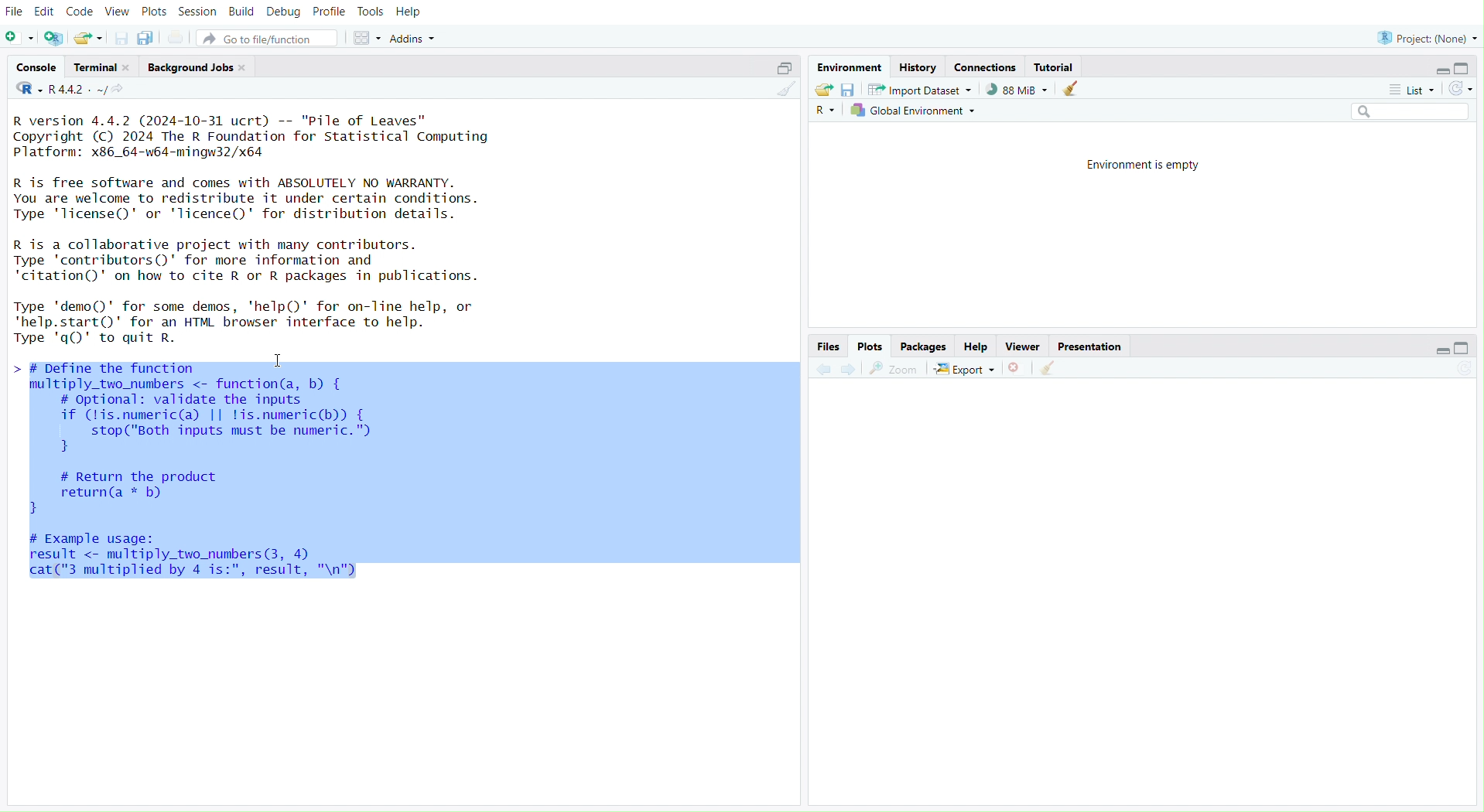  I want to click on Environment, so click(848, 67).